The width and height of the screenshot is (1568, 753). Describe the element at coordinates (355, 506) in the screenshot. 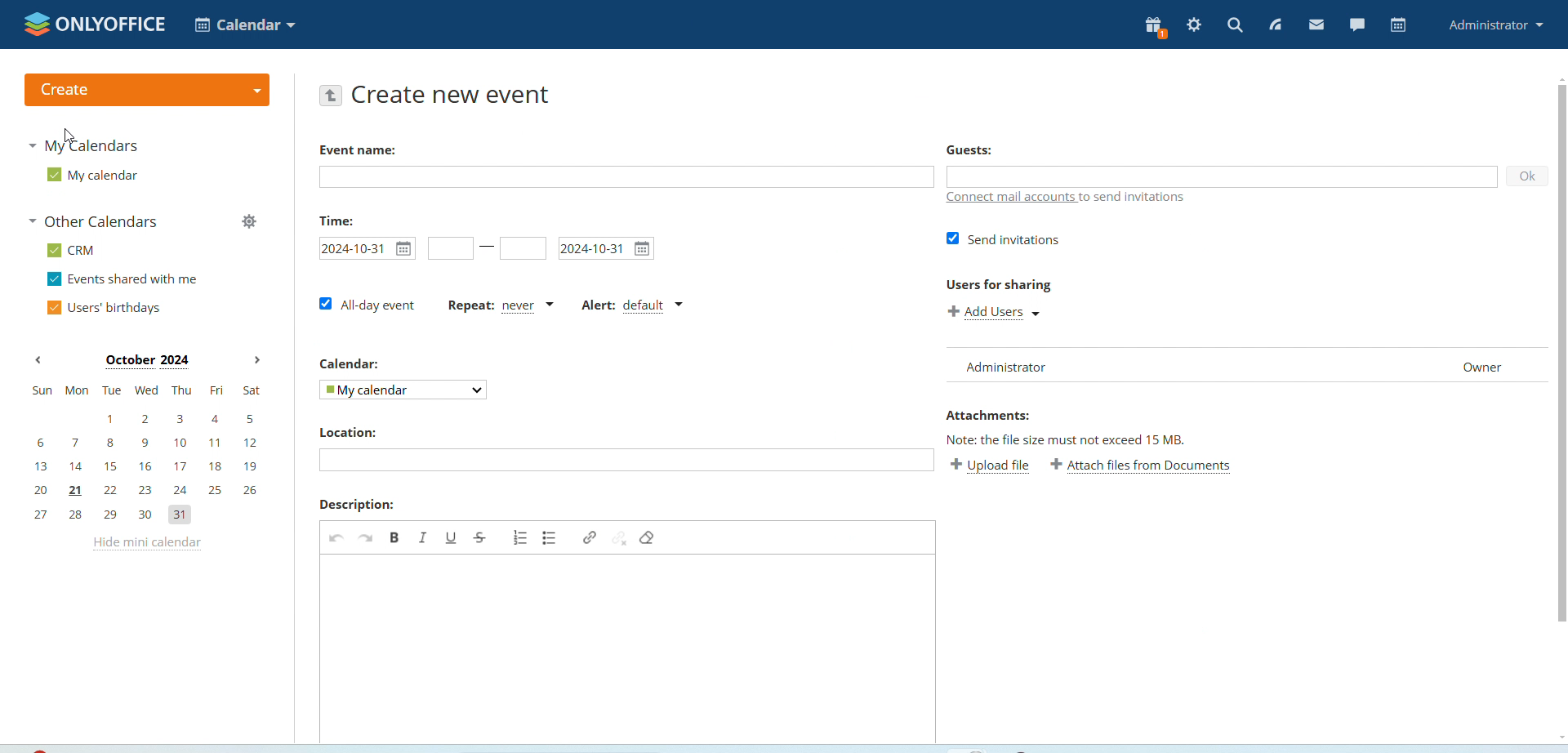

I see `Description` at that location.